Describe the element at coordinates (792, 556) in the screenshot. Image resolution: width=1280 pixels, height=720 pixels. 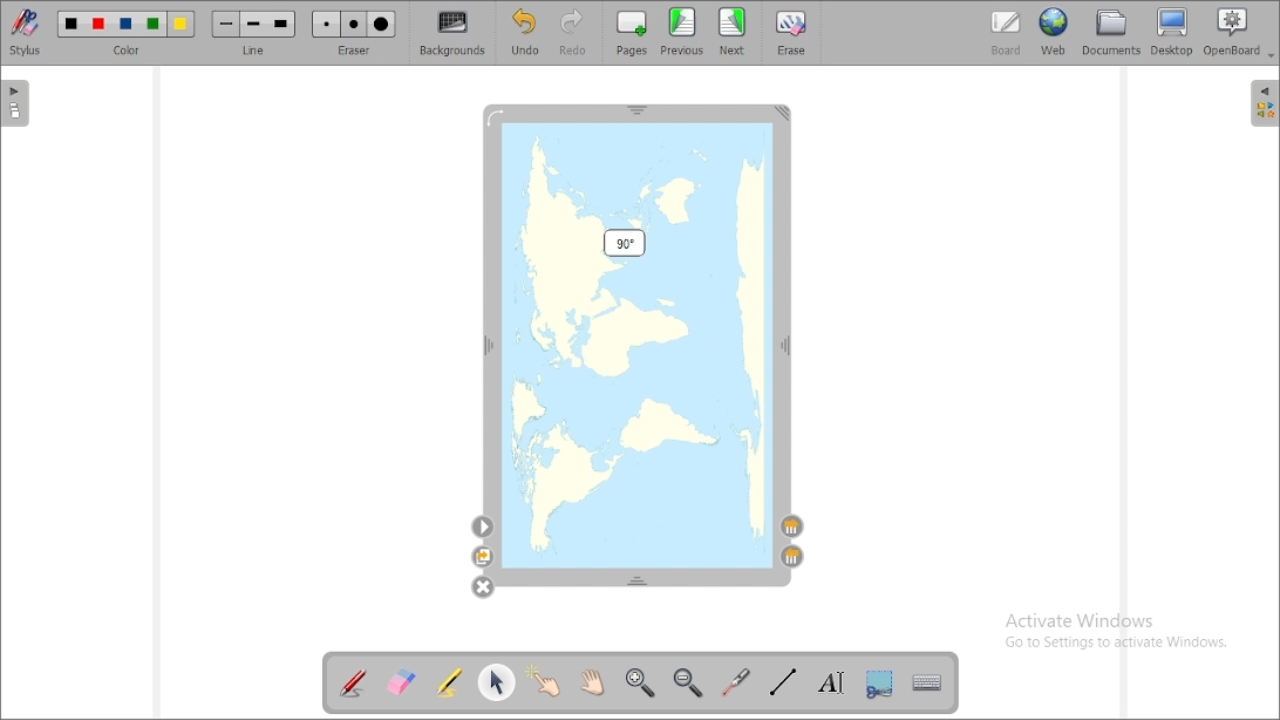
I see `layer up` at that location.